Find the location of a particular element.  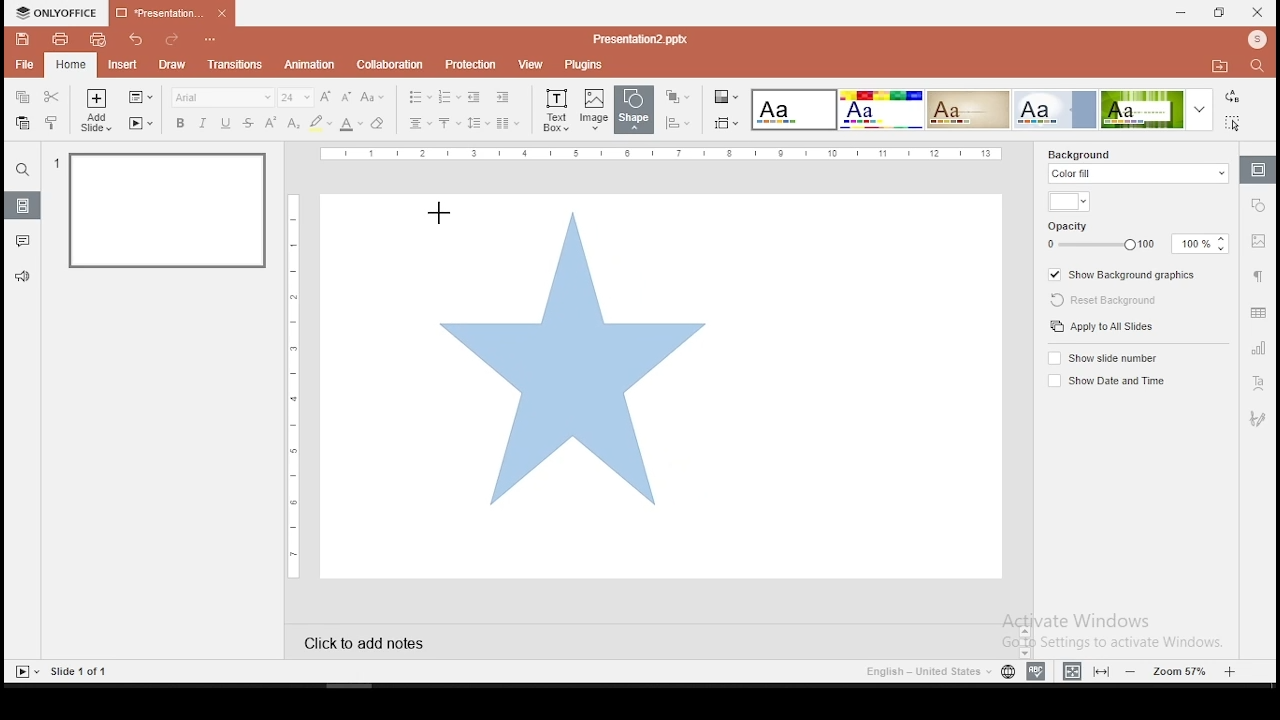

spell check is located at coordinates (1039, 669).